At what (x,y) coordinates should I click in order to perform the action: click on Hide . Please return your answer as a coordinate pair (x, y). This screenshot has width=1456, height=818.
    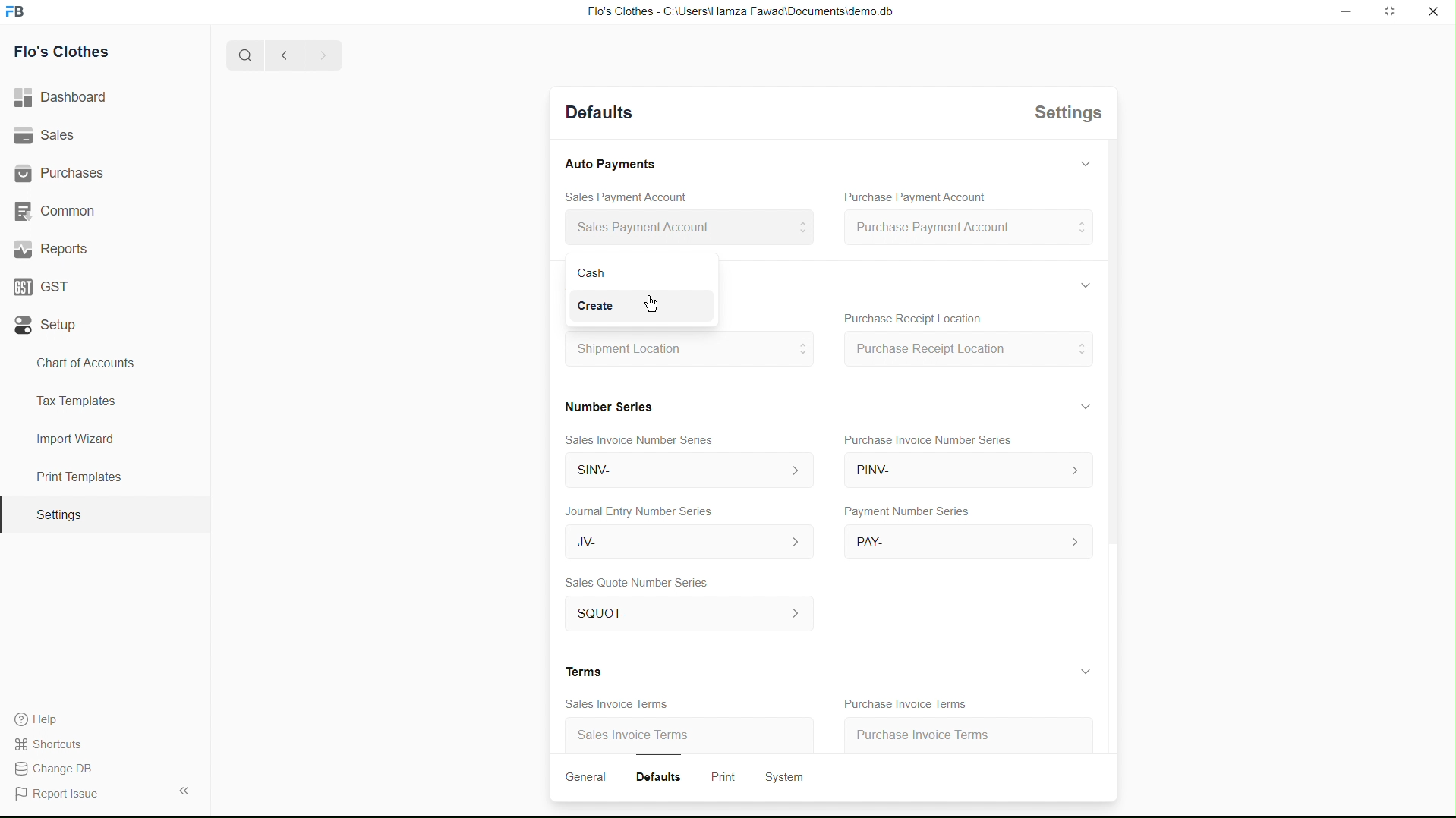
    Looking at the image, I should click on (1078, 408).